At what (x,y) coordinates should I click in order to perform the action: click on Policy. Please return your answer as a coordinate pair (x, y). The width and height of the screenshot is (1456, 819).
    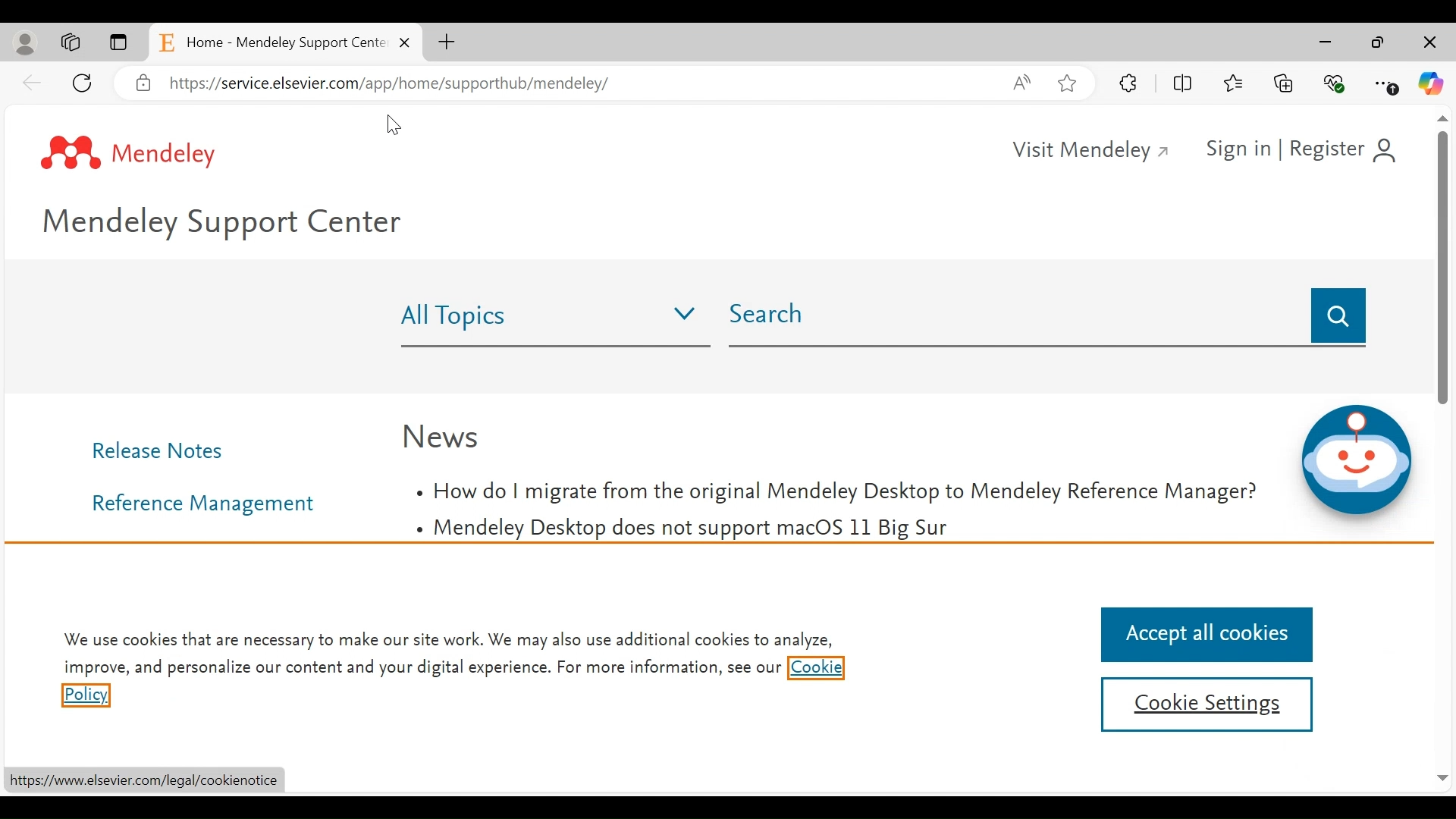
    Looking at the image, I should click on (85, 697).